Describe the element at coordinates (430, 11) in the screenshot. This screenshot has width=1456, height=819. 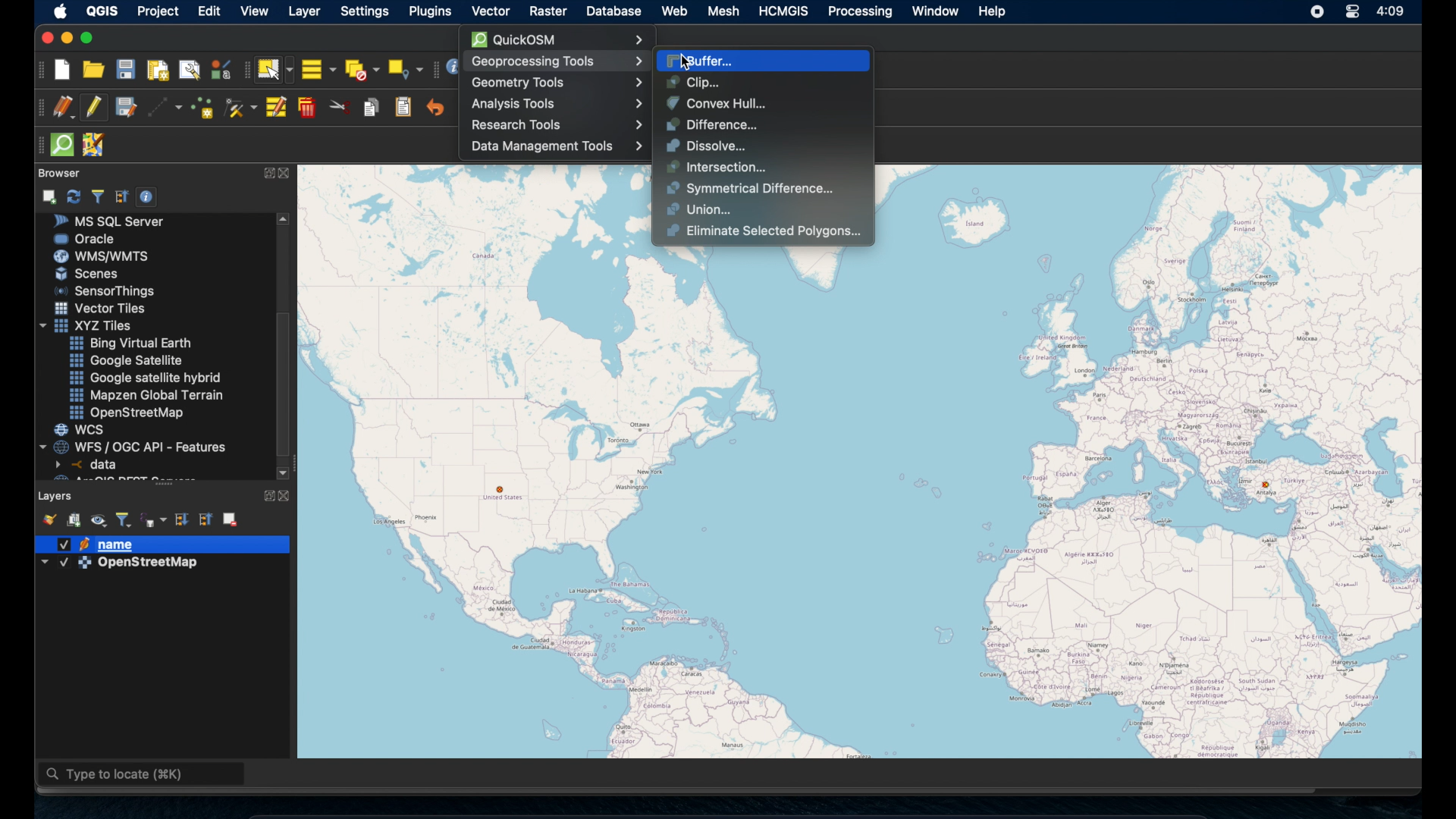
I see `plugins` at that location.